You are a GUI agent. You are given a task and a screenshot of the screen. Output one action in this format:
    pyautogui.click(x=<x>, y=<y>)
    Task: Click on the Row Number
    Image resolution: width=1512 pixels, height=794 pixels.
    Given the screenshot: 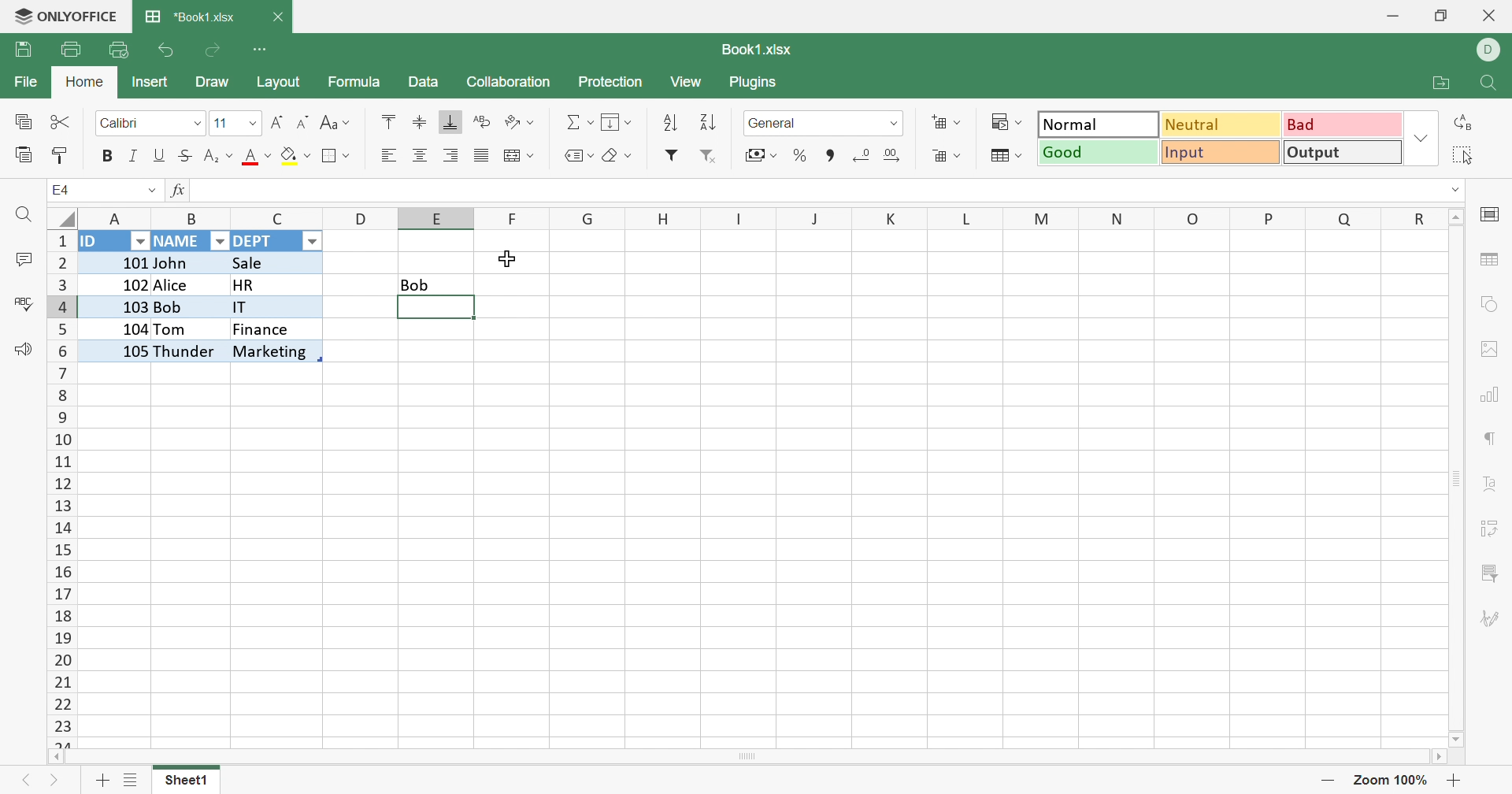 What is the action you would take?
    pyautogui.click(x=60, y=488)
    